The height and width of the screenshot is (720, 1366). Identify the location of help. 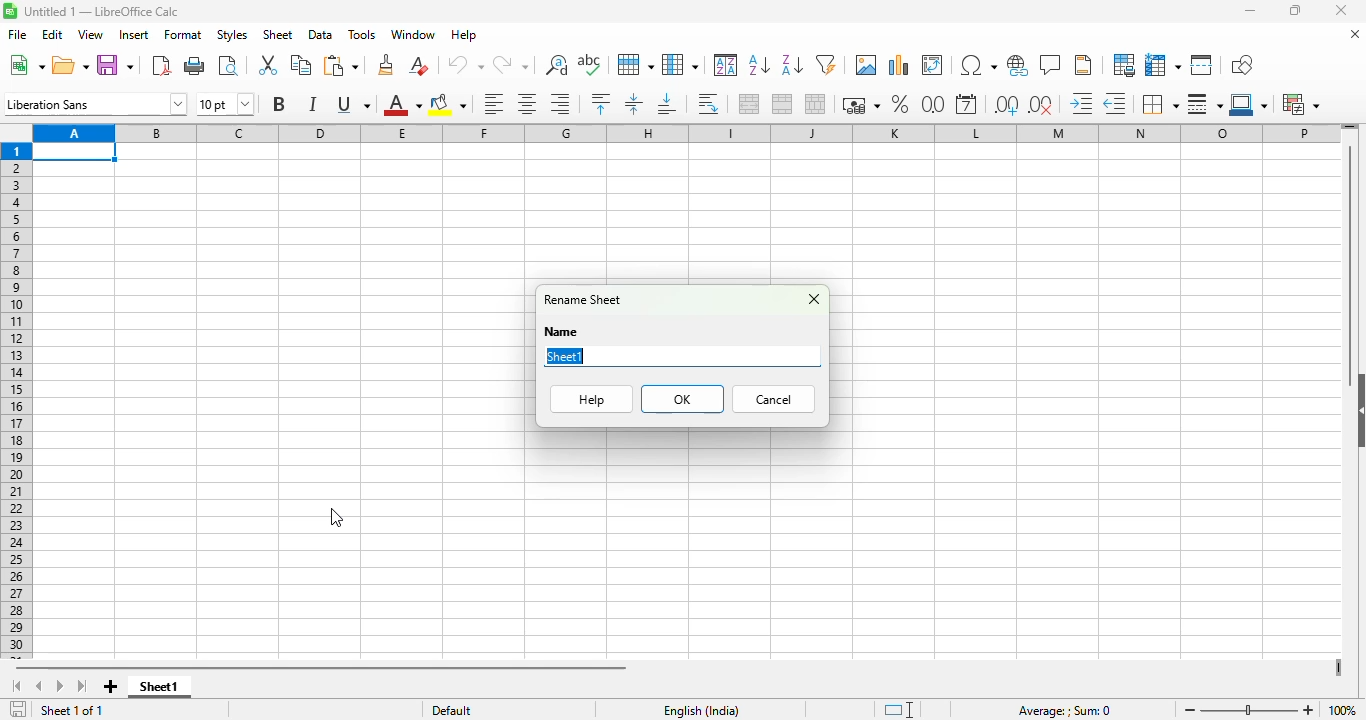
(592, 399).